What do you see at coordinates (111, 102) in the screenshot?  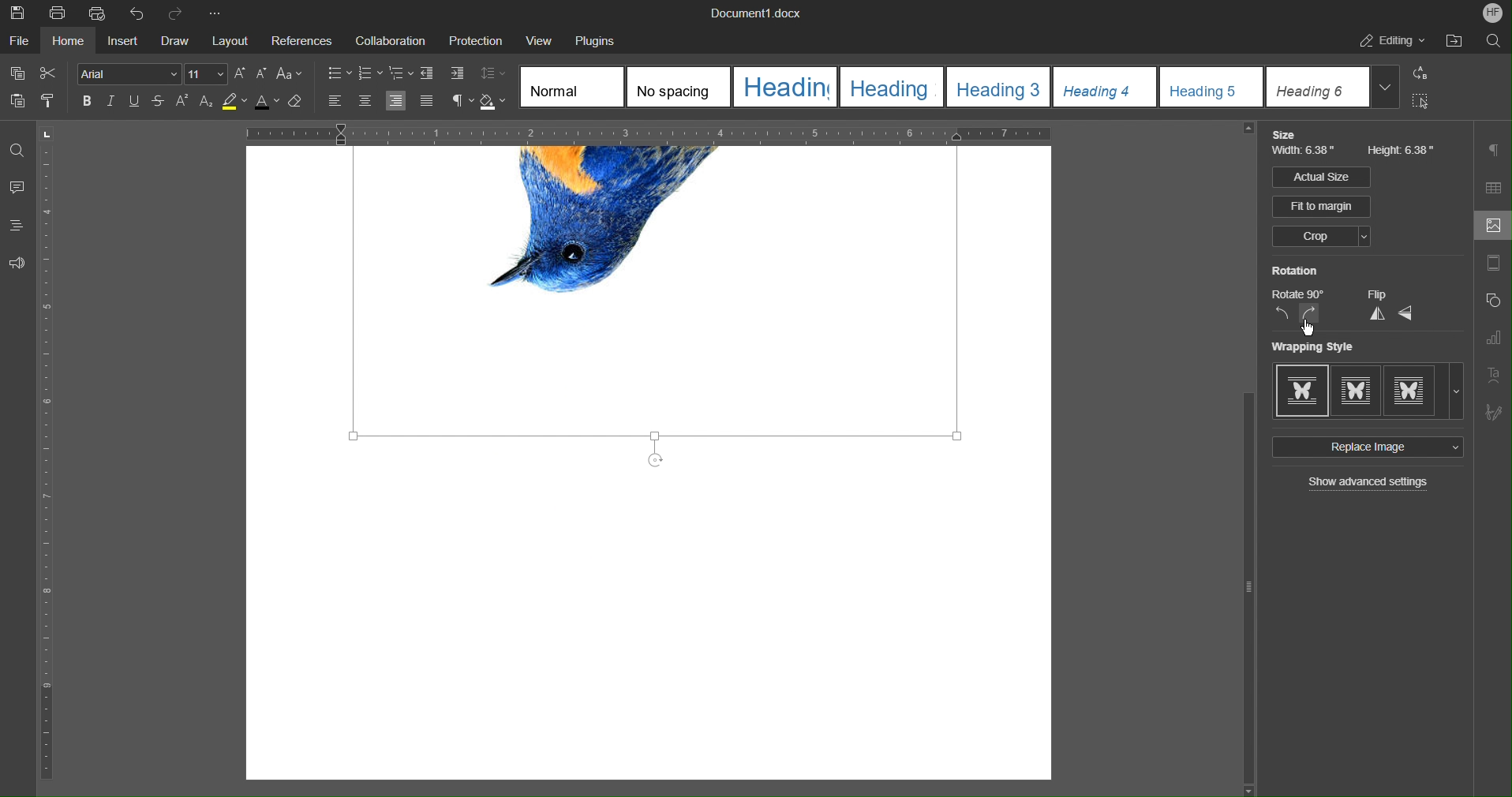 I see `Italic` at bounding box center [111, 102].